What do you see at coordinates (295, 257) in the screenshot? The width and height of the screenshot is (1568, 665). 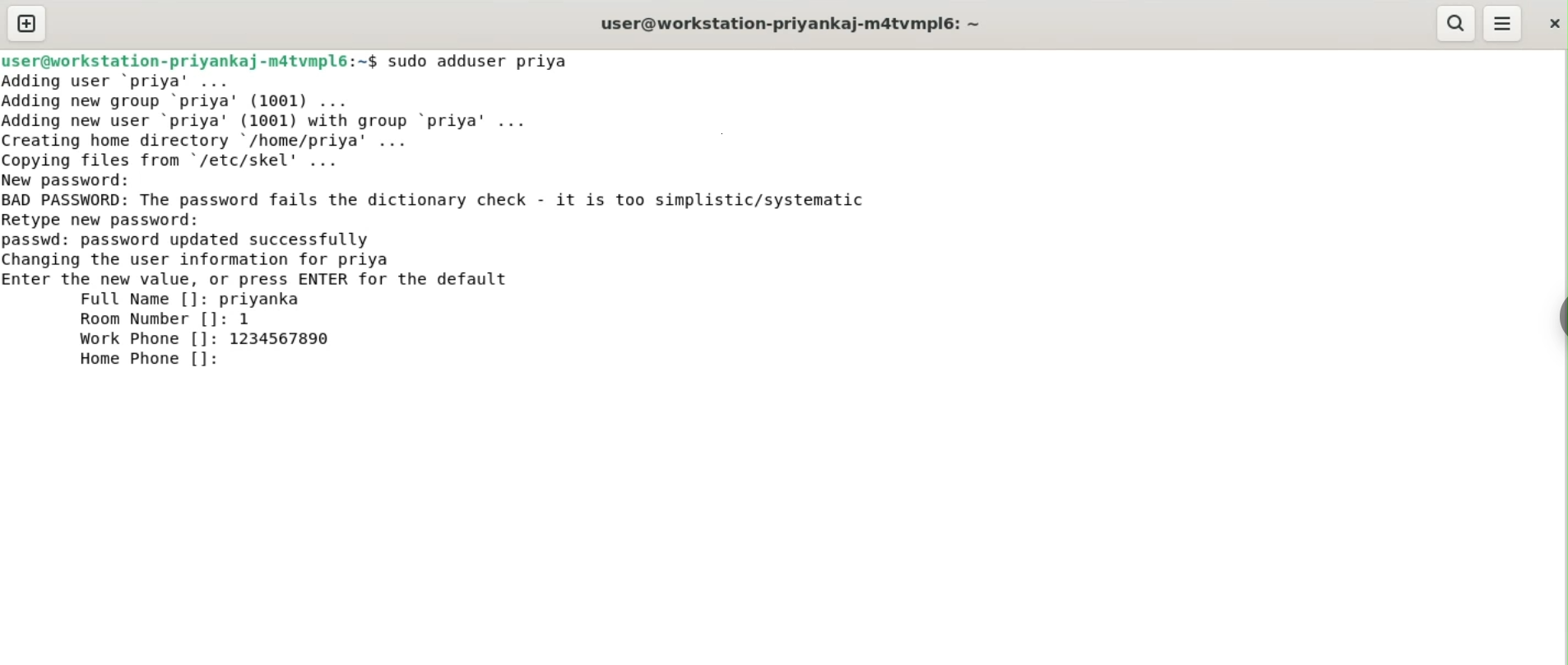 I see `passwd: password updated successfully    changing the user information for priya  enter the new value, or press ENTER for default value` at bounding box center [295, 257].